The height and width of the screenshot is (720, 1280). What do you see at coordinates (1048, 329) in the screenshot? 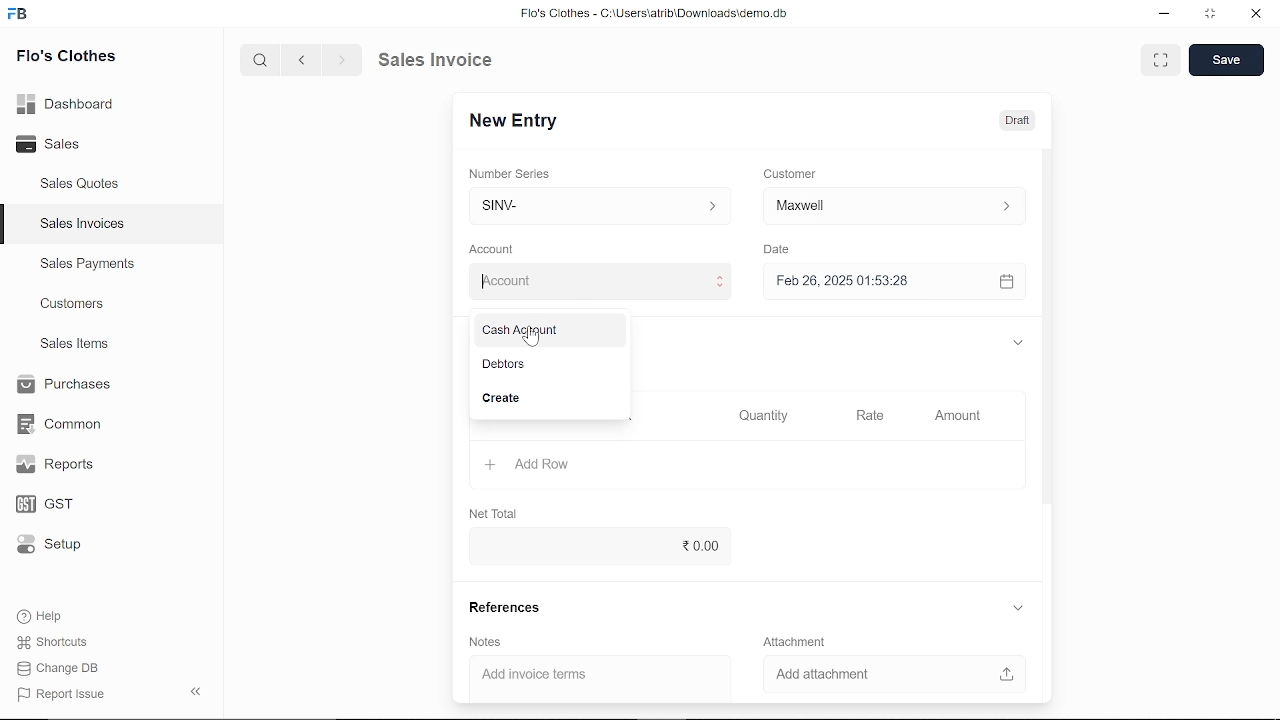
I see `vertical scrollbar` at bounding box center [1048, 329].